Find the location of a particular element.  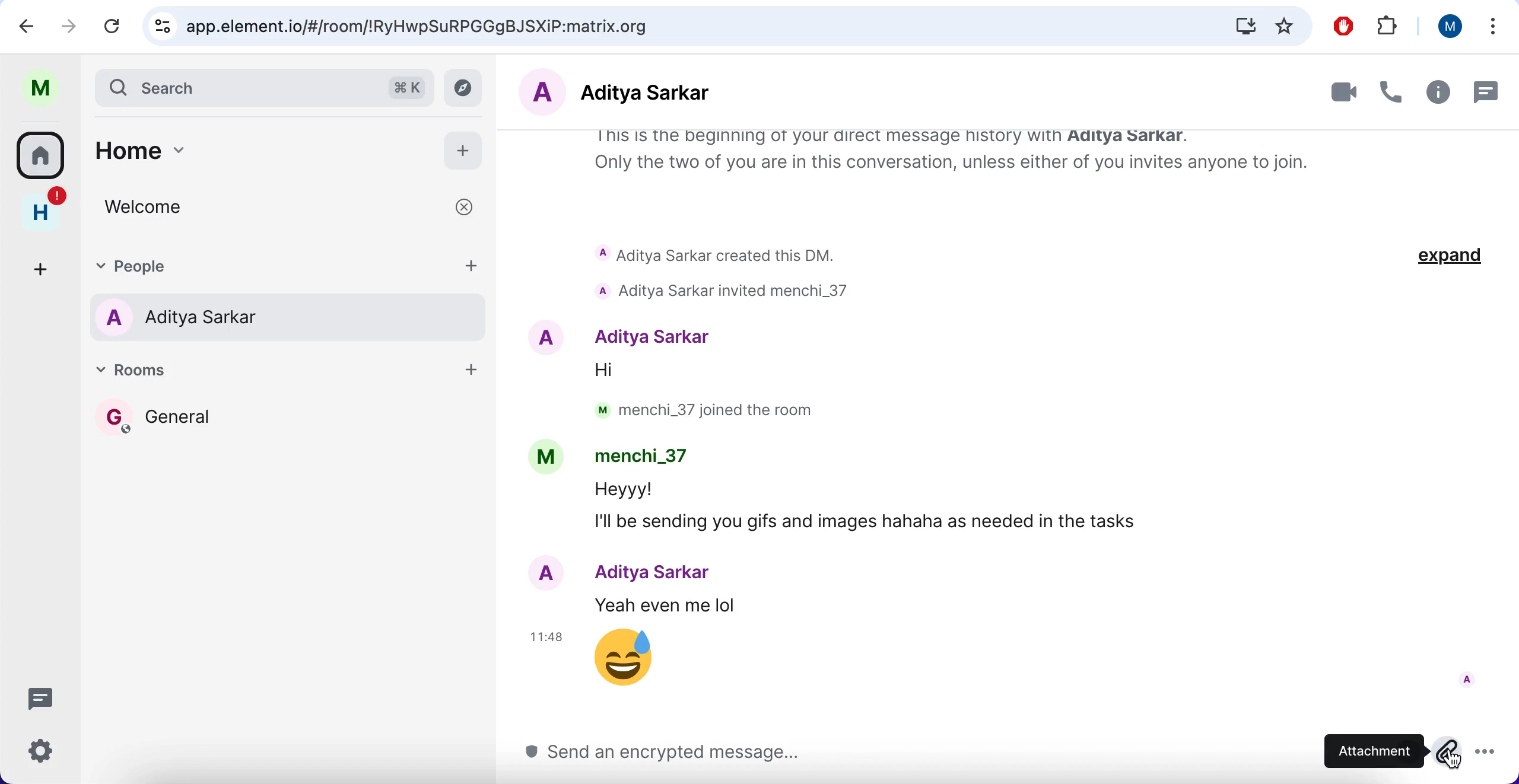

threads is located at coordinates (37, 696).